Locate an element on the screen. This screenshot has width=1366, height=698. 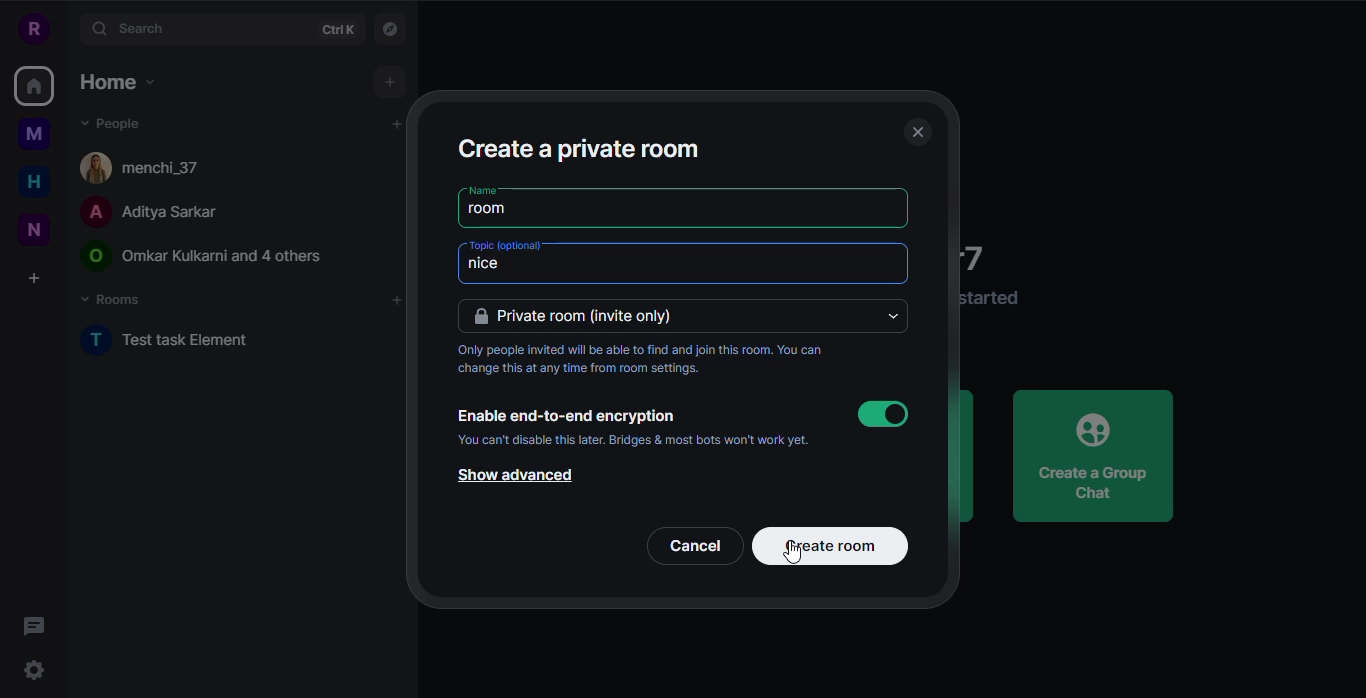
info is located at coordinates (993, 298).